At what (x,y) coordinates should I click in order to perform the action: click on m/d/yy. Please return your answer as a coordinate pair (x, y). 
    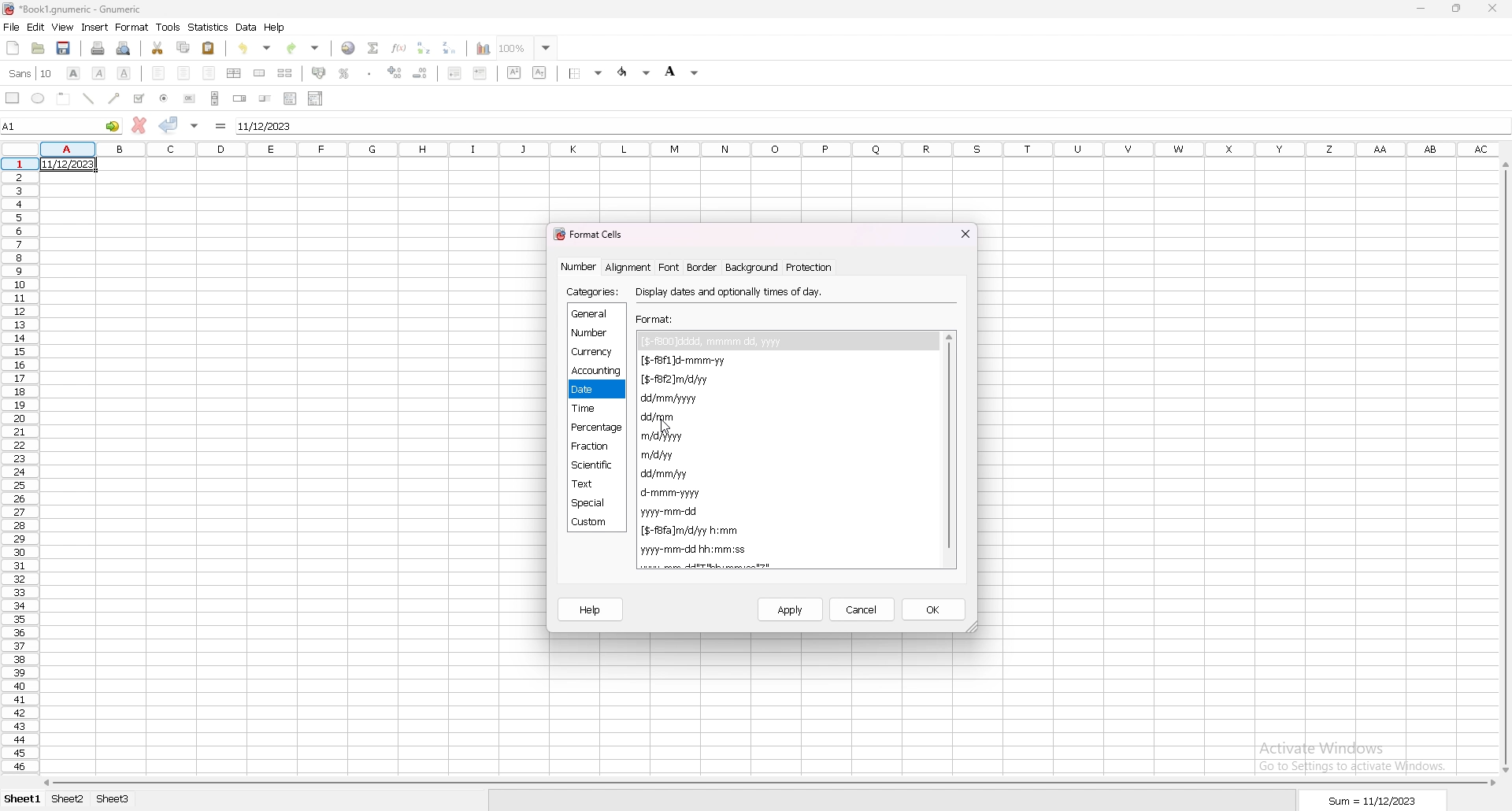
    Looking at the image, I should click on (660, 455).